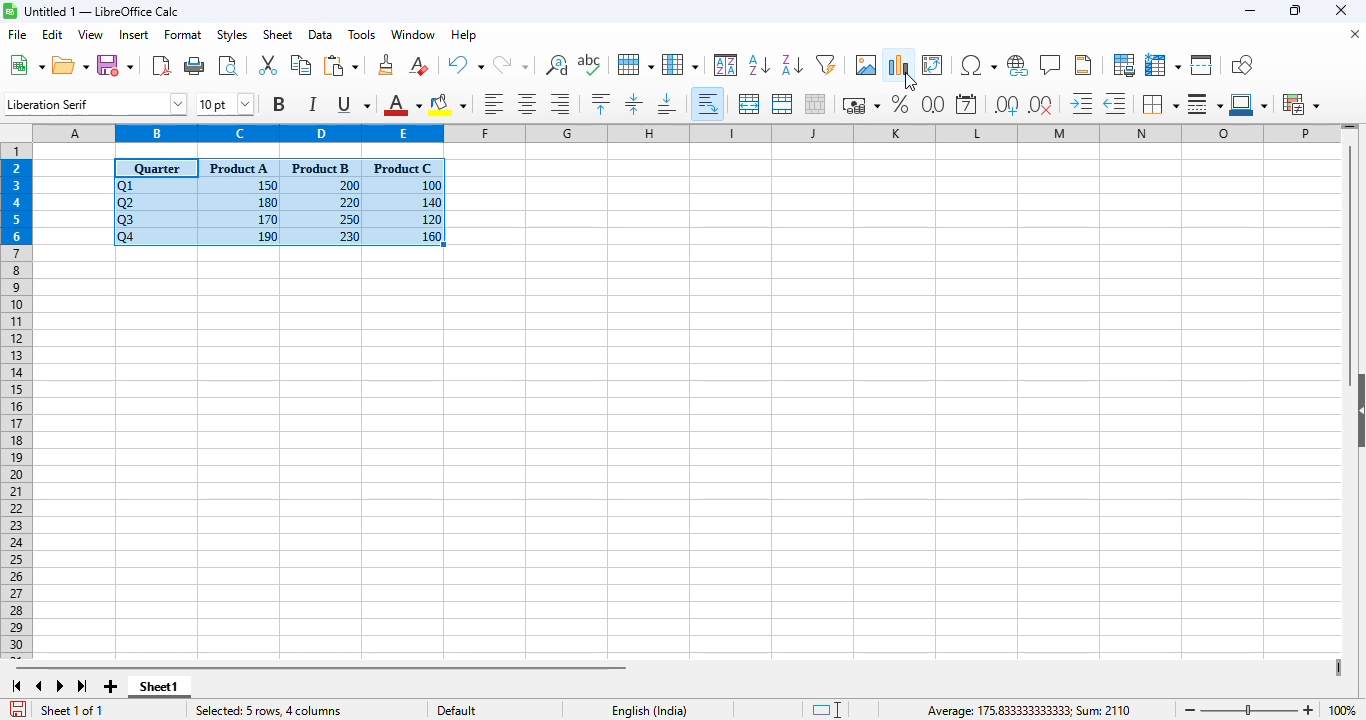  I want to click on underline, so click(352, 104).